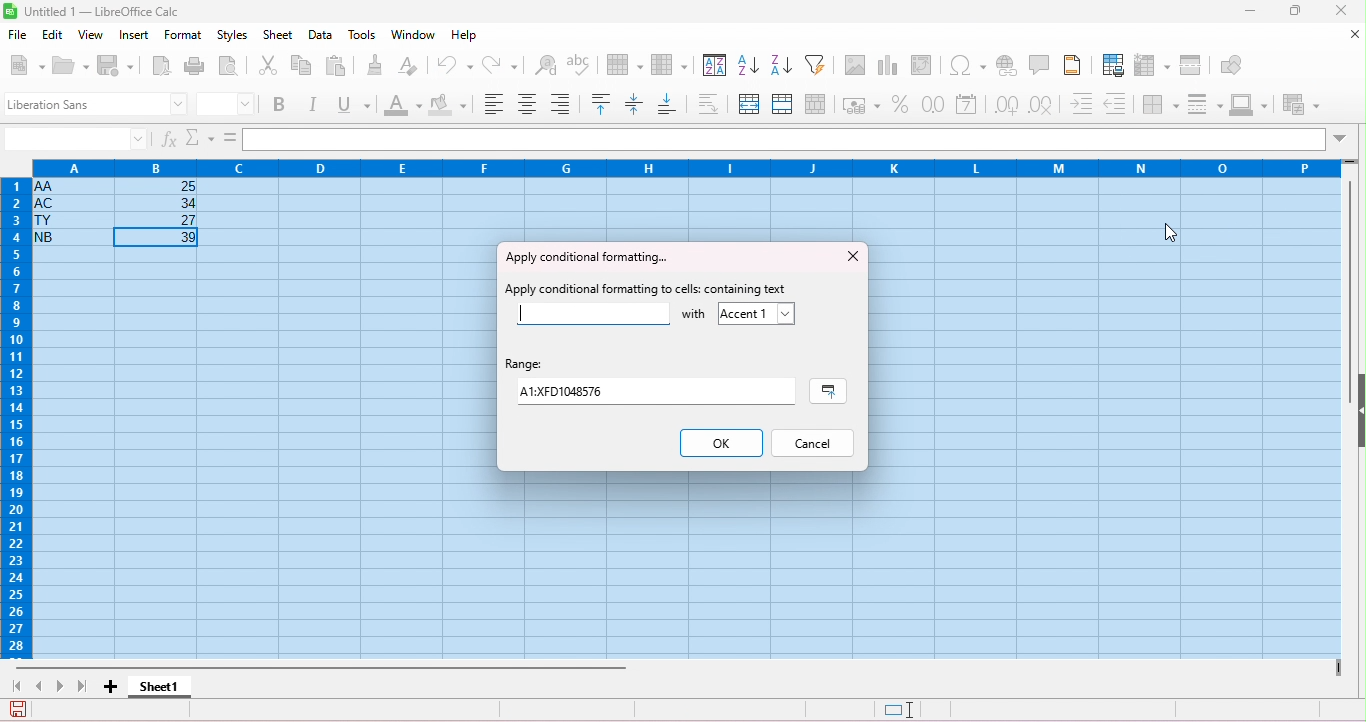 The width and height of the screenshot is (1366, 722). What do you see at coordinates (1341, 10) in the screenshot?
I see `close` at bounding box center [1341, 10].